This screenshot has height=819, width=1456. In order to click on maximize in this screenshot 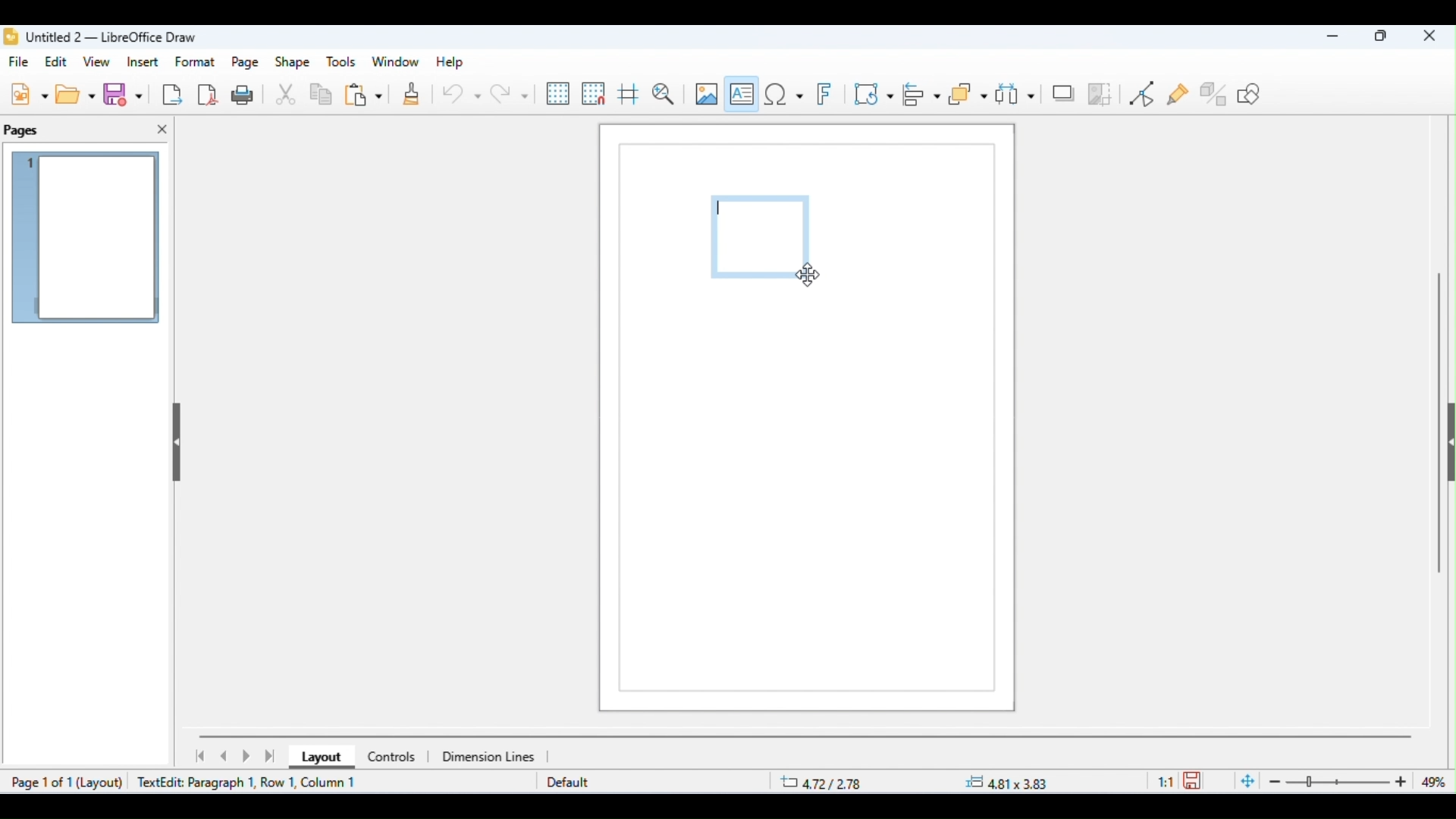, I will do `click(1382, 38)`.